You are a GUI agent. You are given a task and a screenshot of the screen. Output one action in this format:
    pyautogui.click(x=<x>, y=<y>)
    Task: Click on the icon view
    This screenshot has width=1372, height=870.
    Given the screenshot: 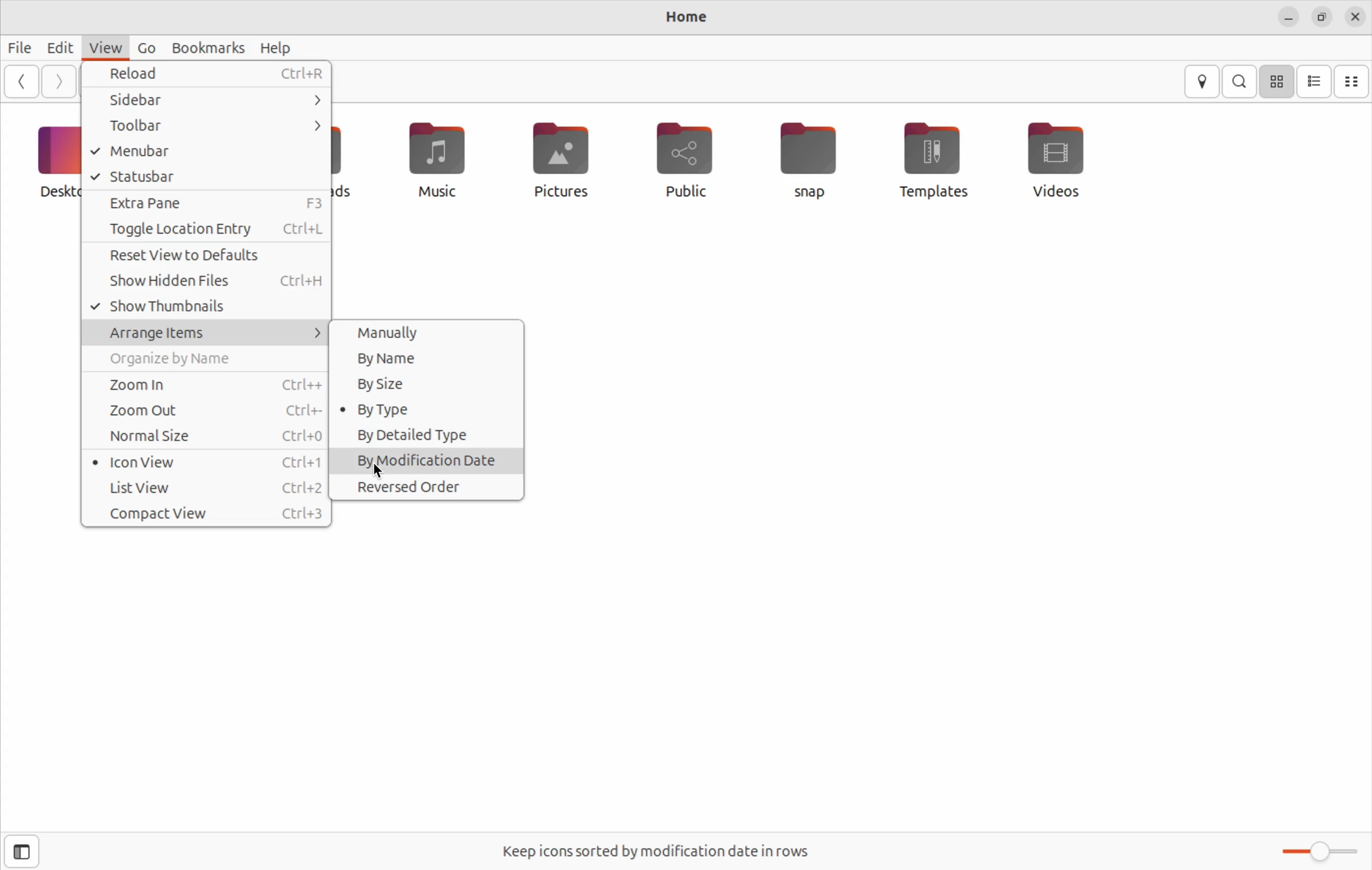 What is the action you would take?
    pyautogui.click(x=205, y=464)
    